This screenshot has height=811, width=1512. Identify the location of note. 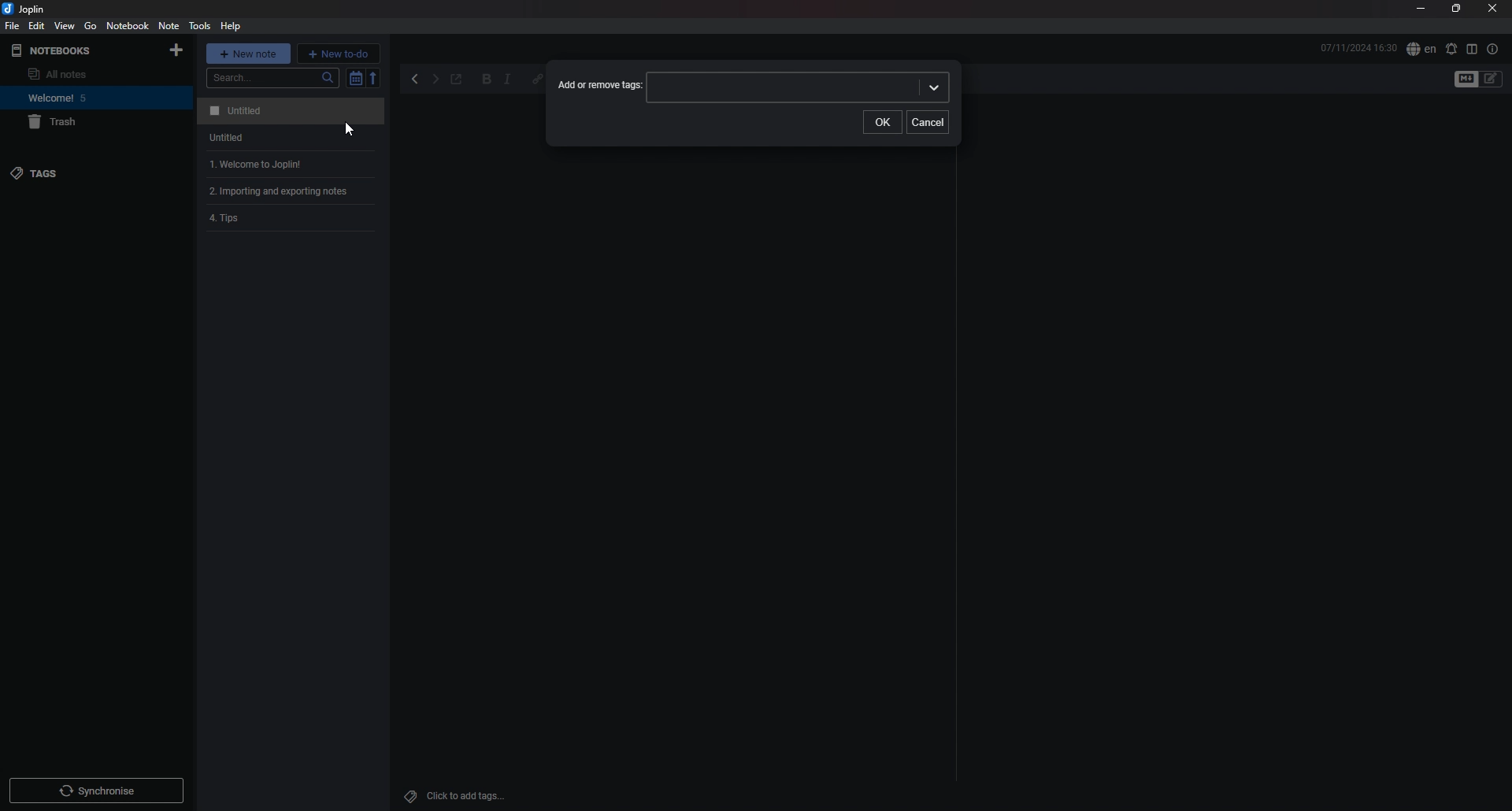
(288, 111).